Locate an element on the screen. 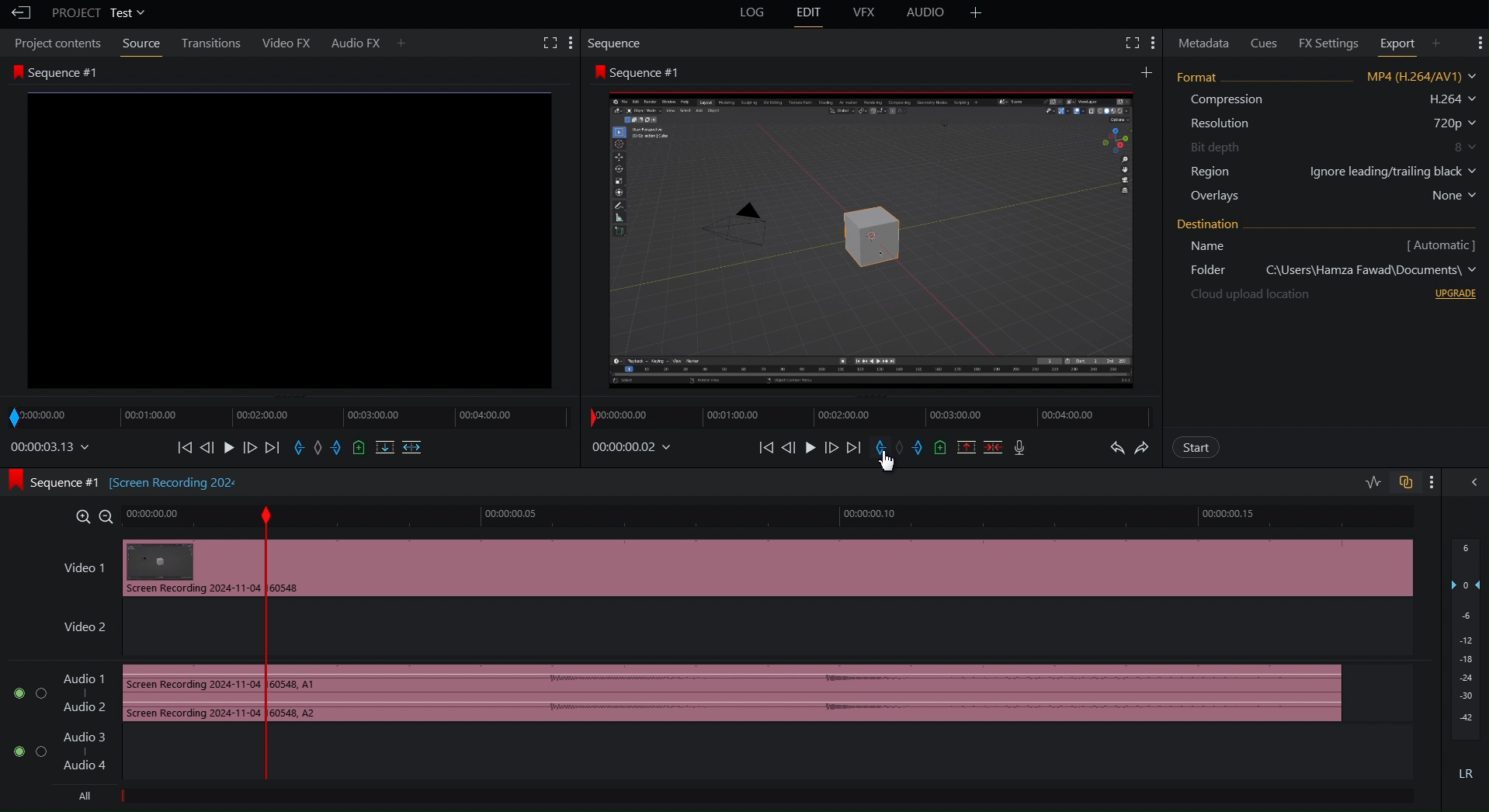  Timestamp is located at coordinates (636, 446).